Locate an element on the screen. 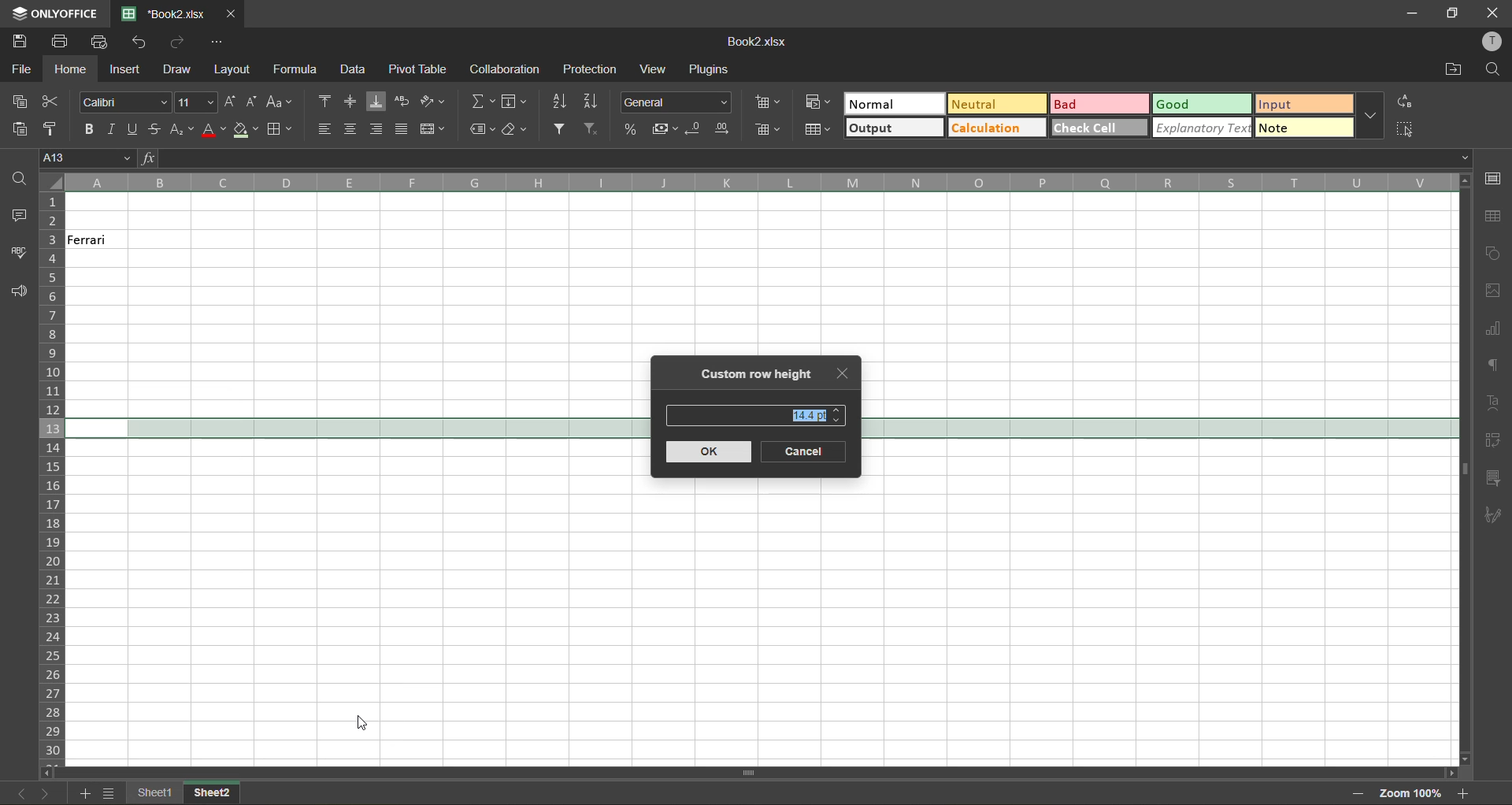  close is located at coordinates (841, 375).